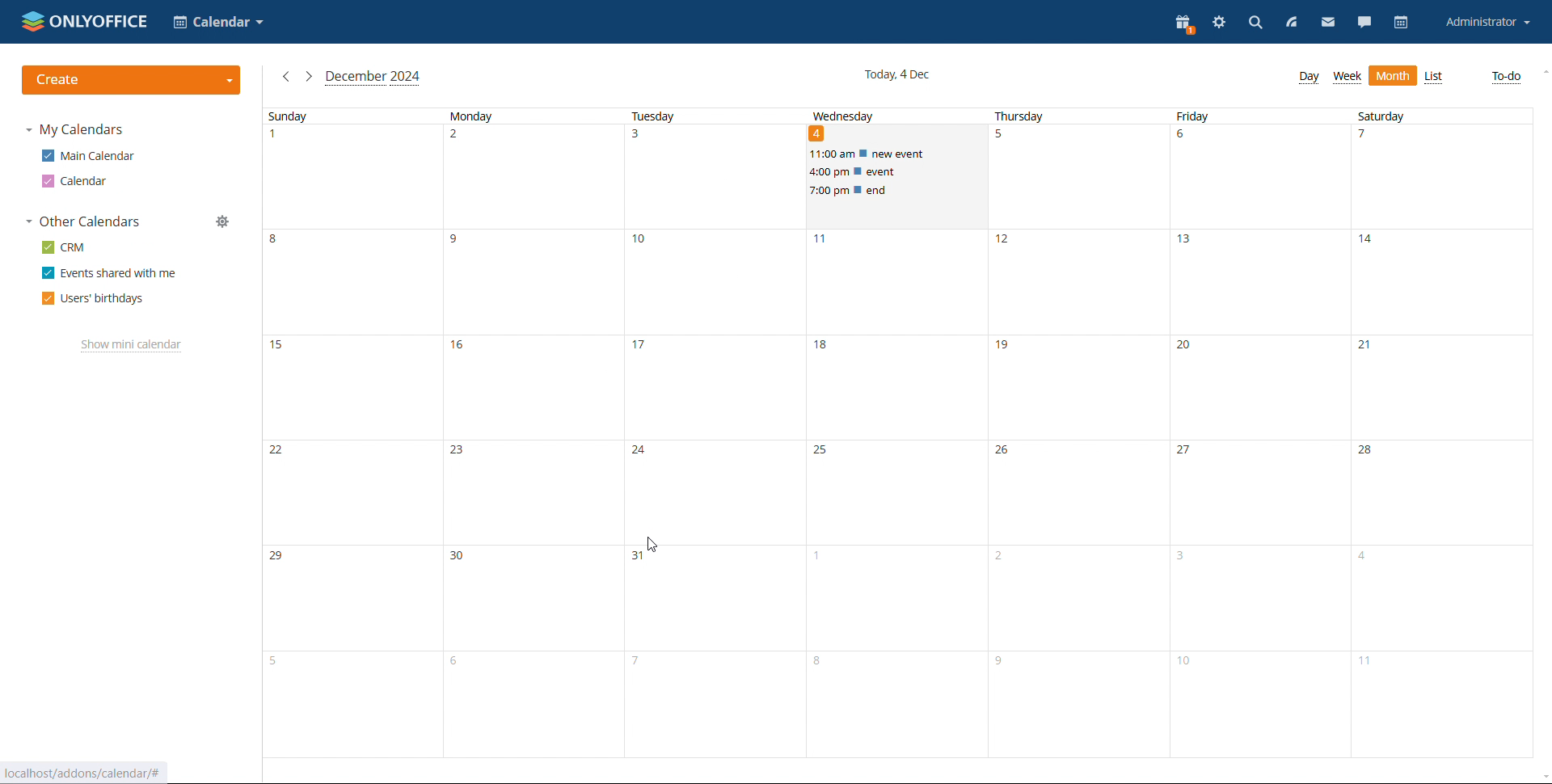 Image resolution: width=1552 pixels, height=784 pixels. Describe the element at coordinates (1081, 434) in the screenshot. I see `thursday` at that location.